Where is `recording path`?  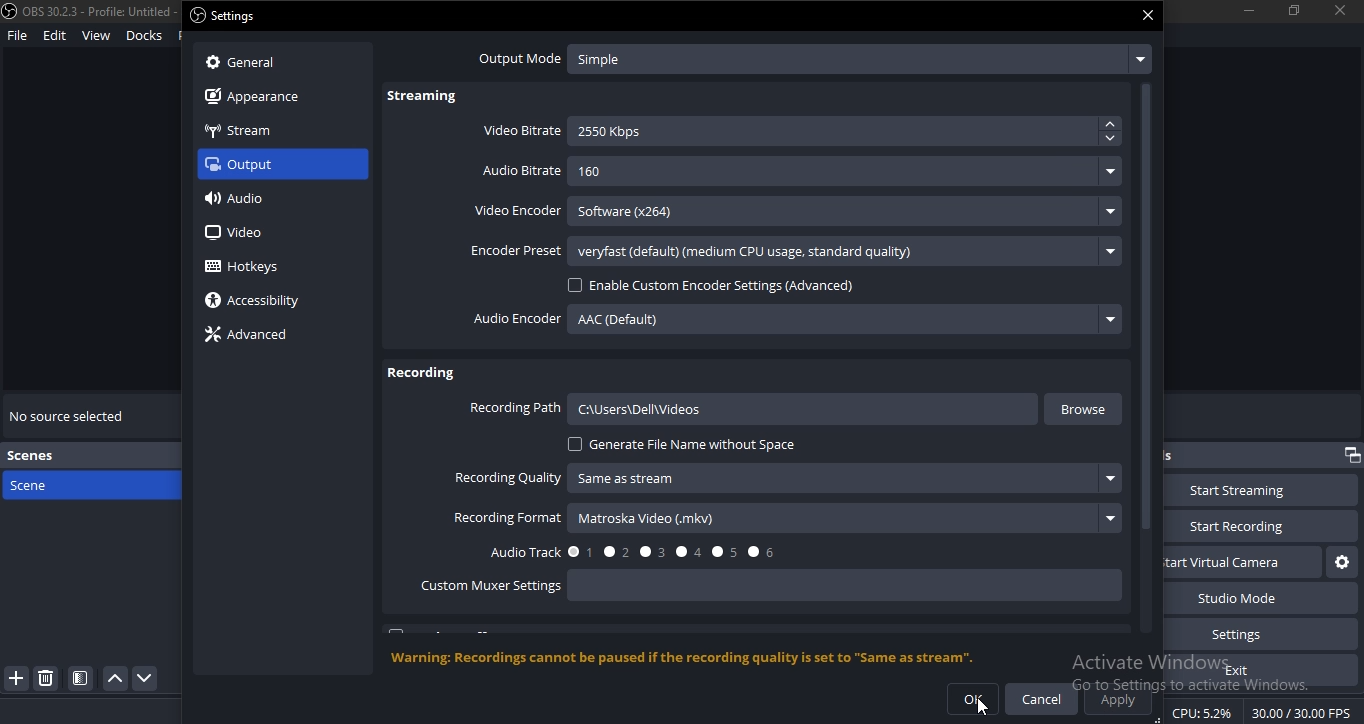 recording path is located at coordinates (515, 408).